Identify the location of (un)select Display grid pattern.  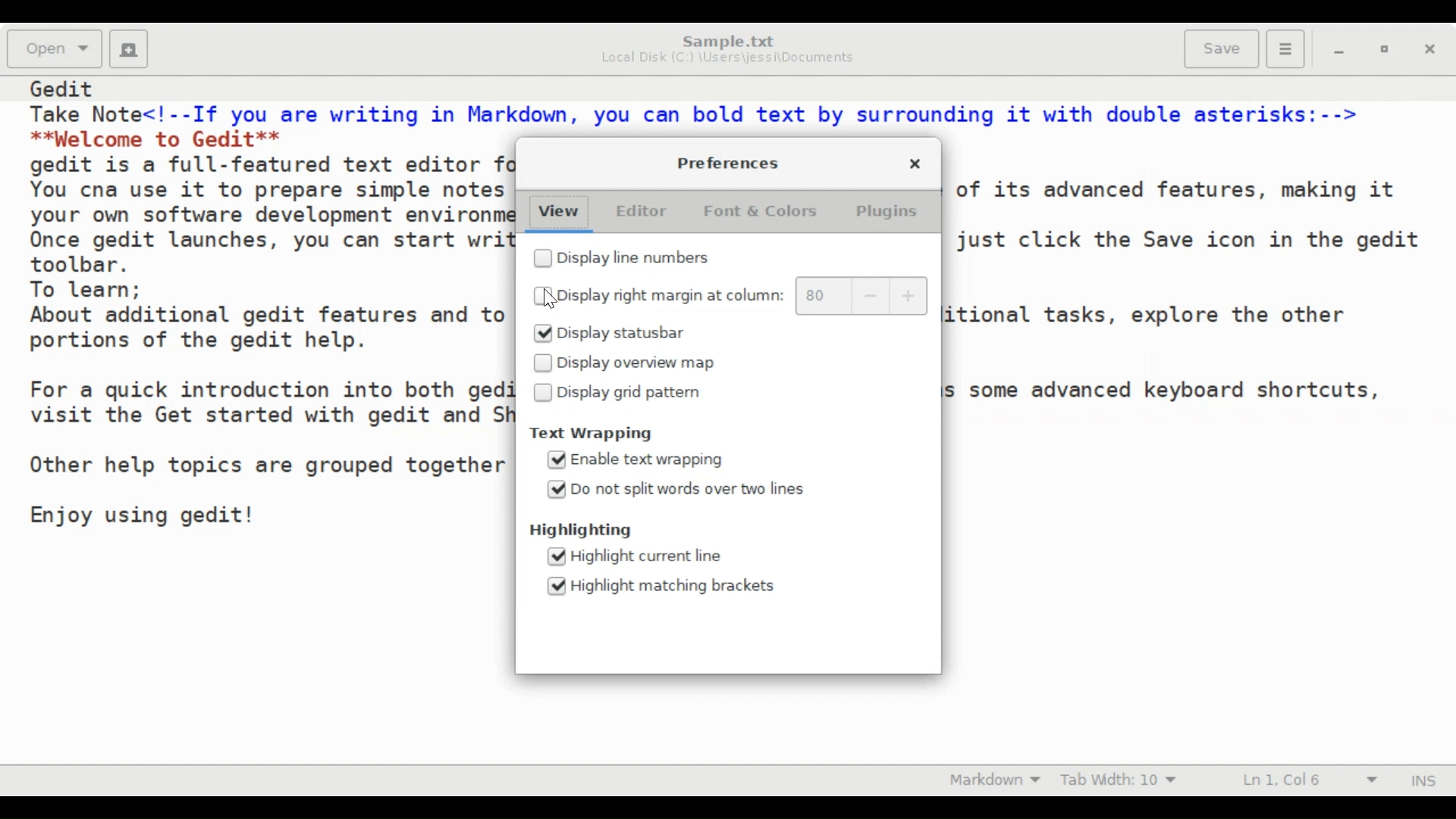
(618, 393).